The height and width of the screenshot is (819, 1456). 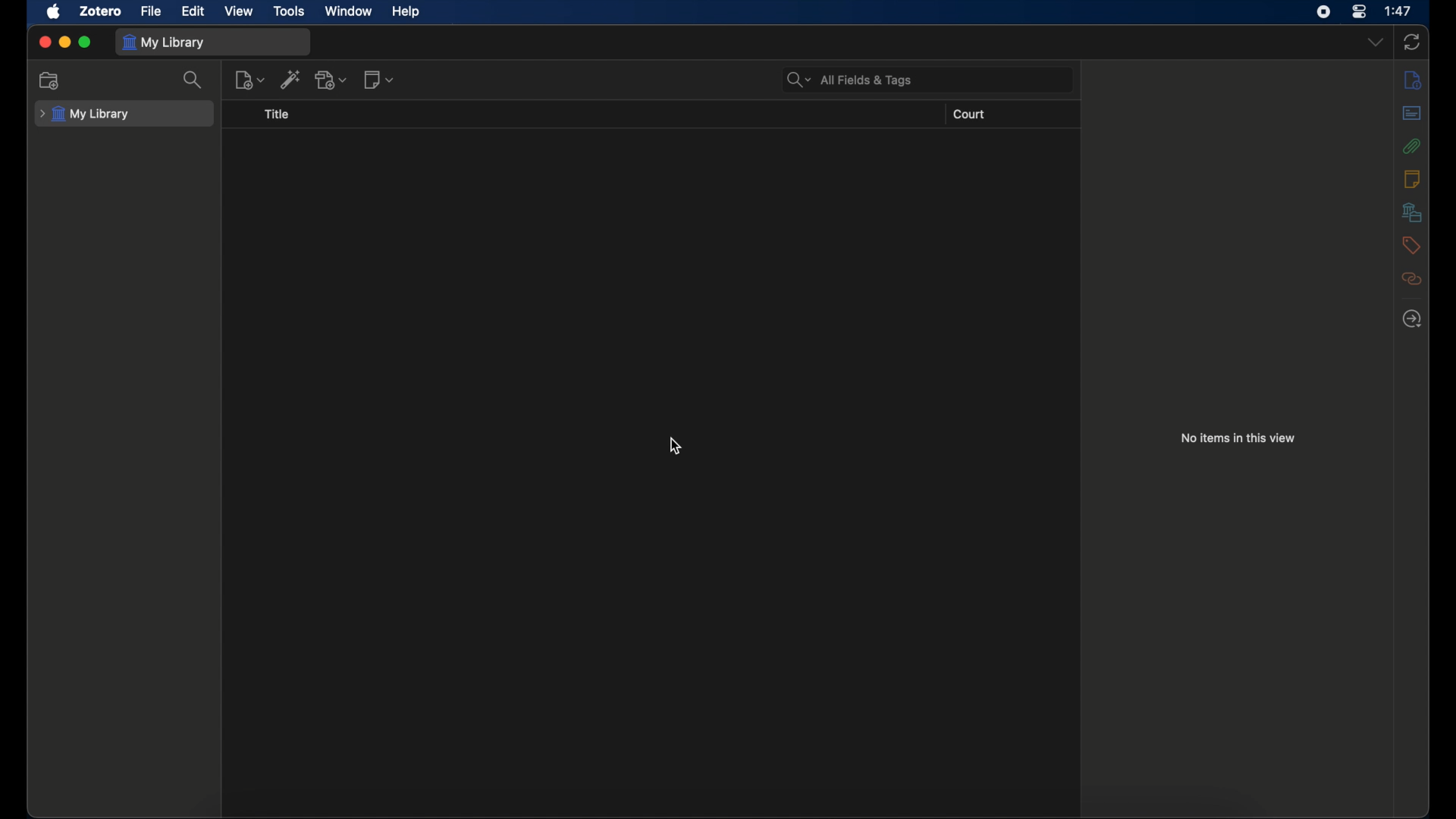 I want to click on my library, so click(x=163, y=42).